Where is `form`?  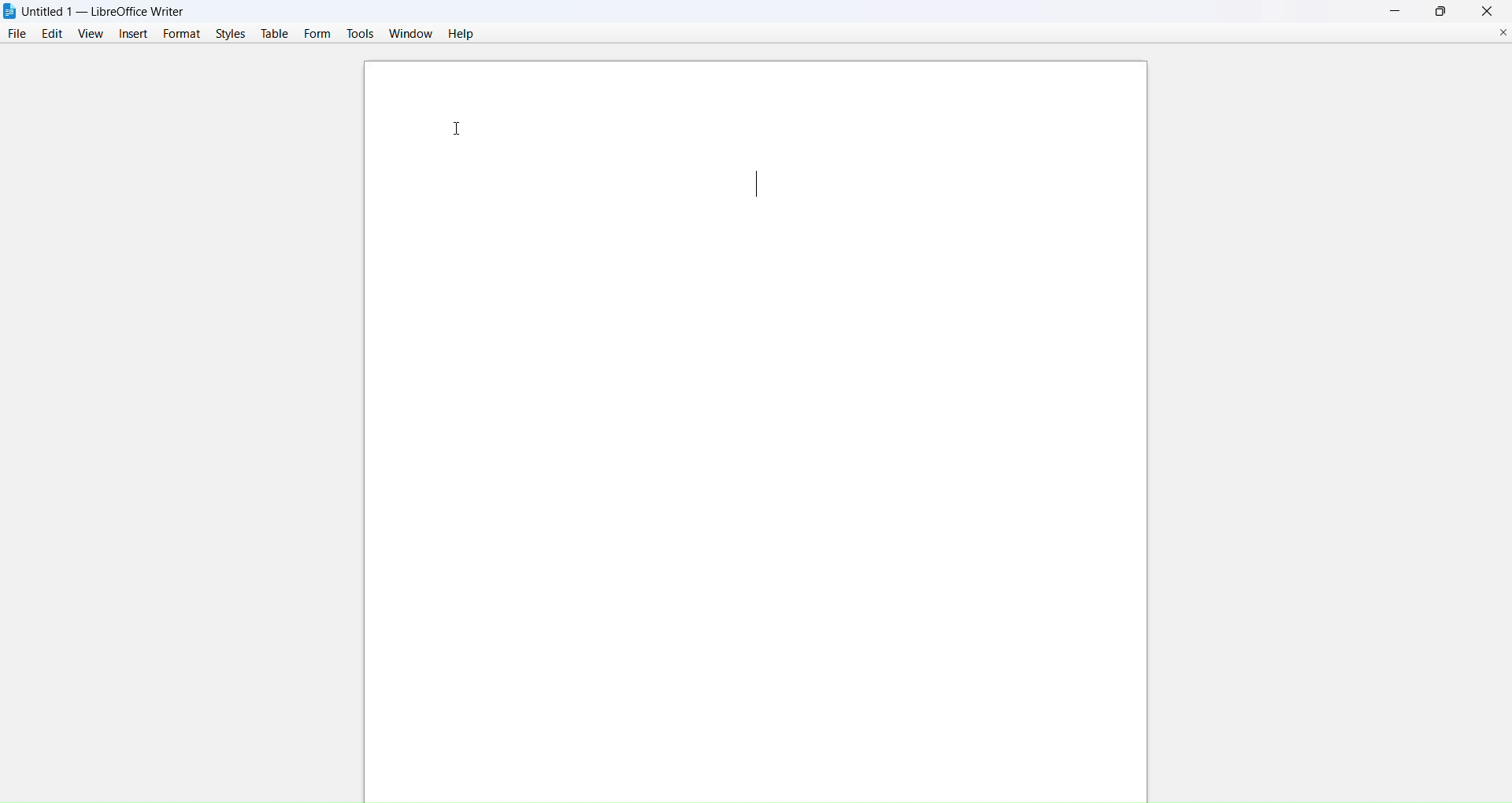 form is located at coordinates (319, 33).